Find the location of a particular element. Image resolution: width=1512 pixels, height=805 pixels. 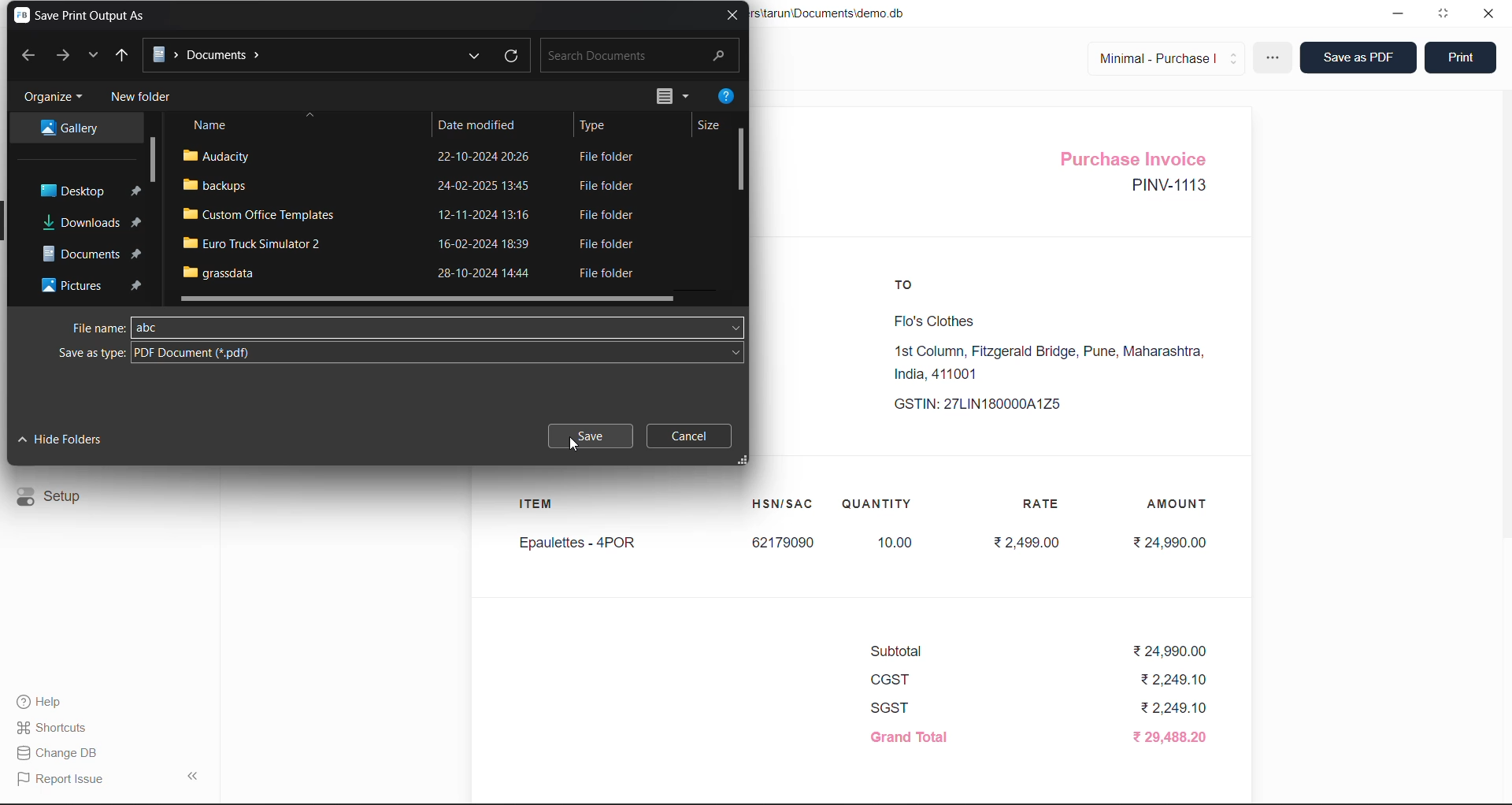

SGST ₹2,249.10 is located at coordinates (1034, 710).